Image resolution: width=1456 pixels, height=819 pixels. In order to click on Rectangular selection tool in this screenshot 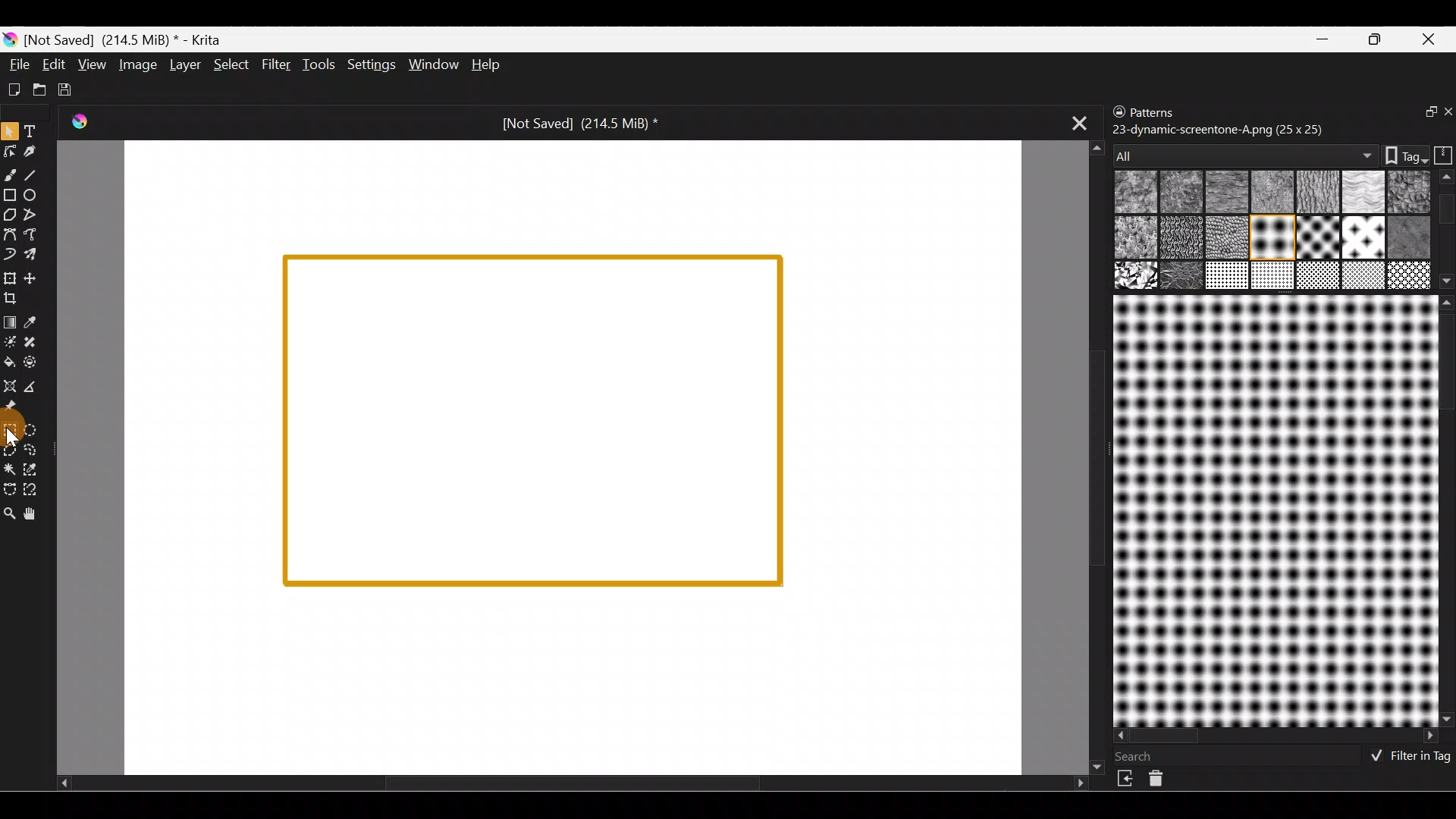, I will do `click(9, 429)`.